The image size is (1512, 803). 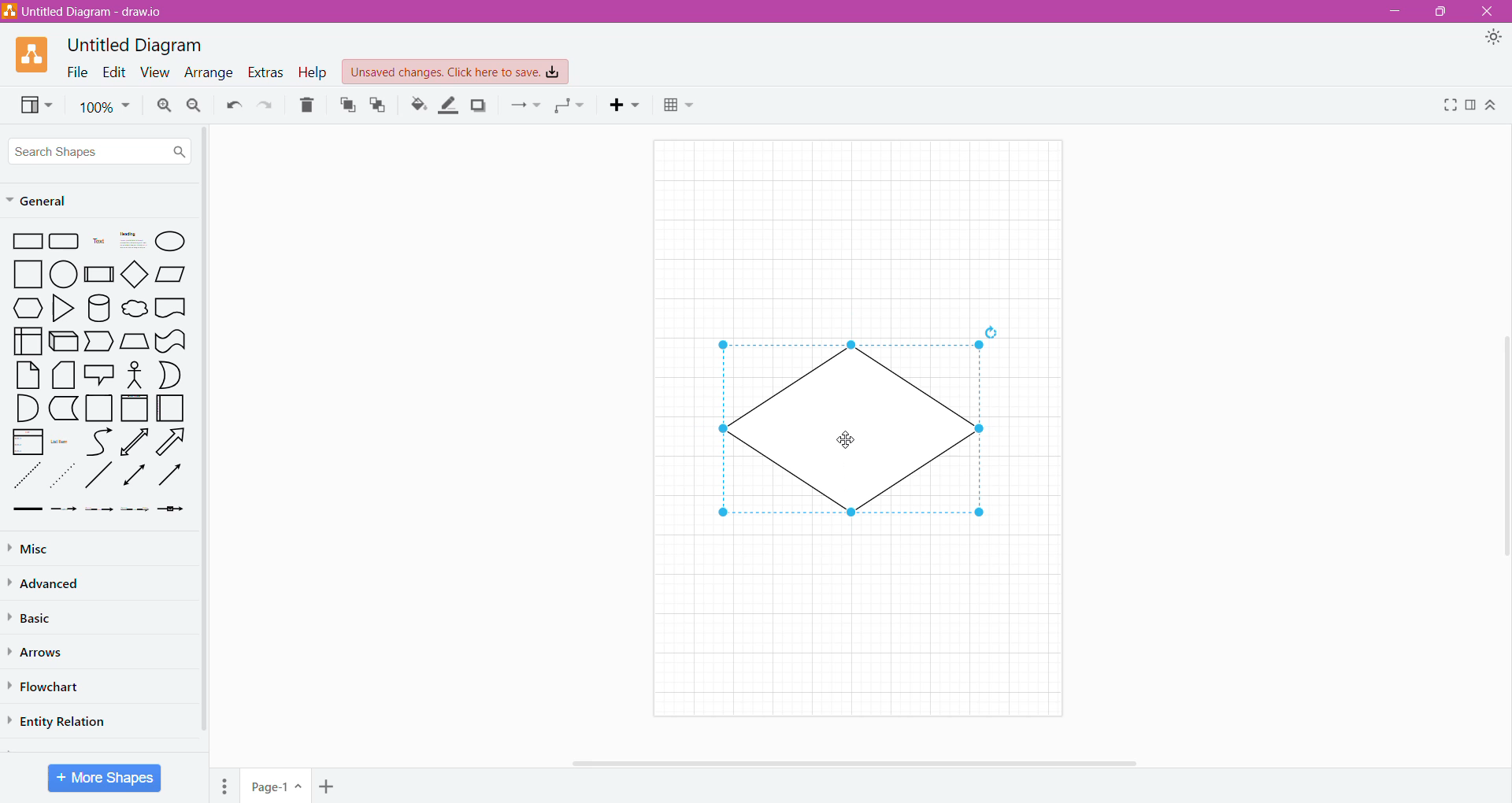 I want to click on Actor, so click(x=133, y=376).